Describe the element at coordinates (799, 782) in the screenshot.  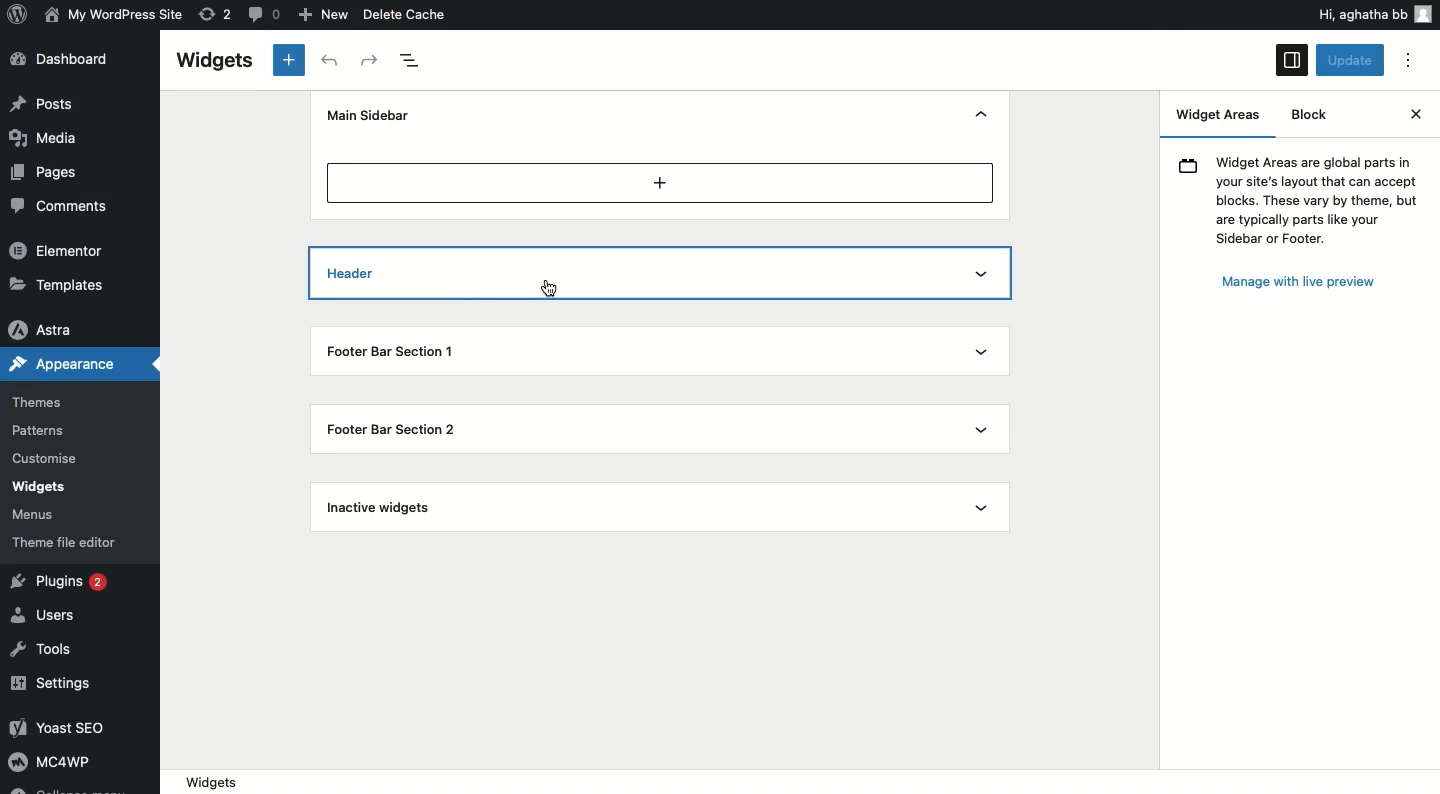
I see `Widgets` at that location.